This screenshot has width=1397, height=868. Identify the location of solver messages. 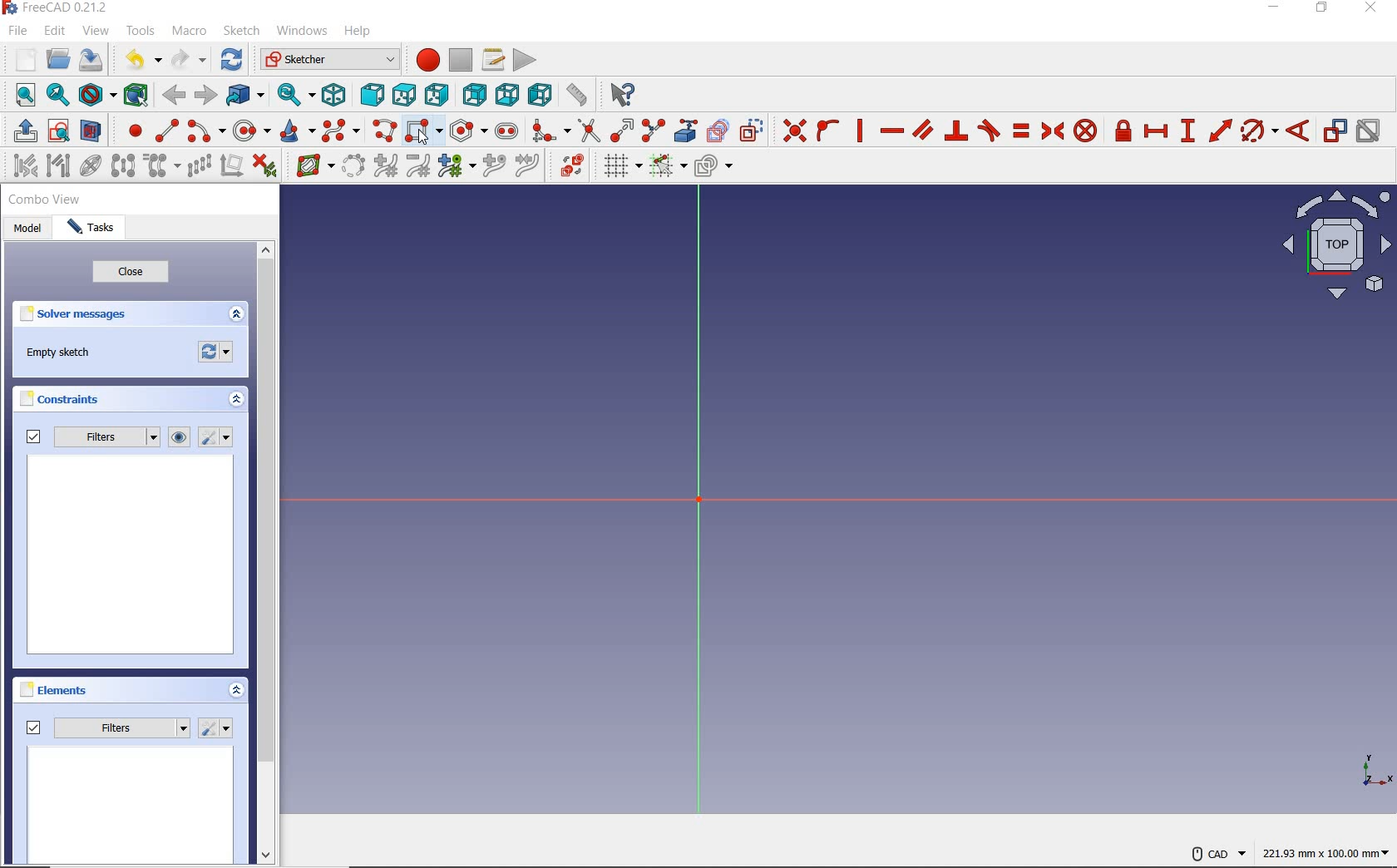
(77, 317).